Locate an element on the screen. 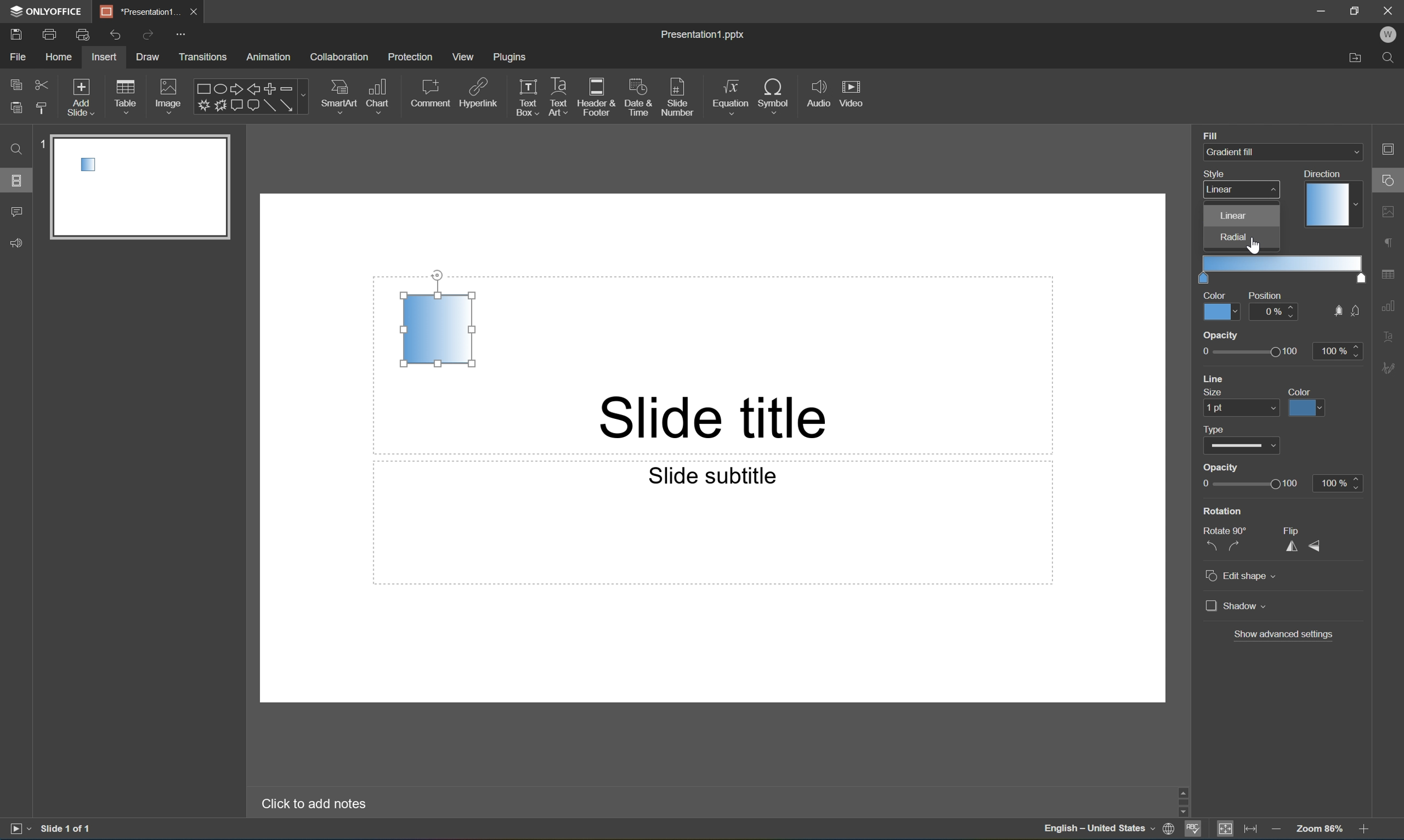 The height and width of the screenshot is (840, 1404). Header & Footer is located at coordinates (596, 97).